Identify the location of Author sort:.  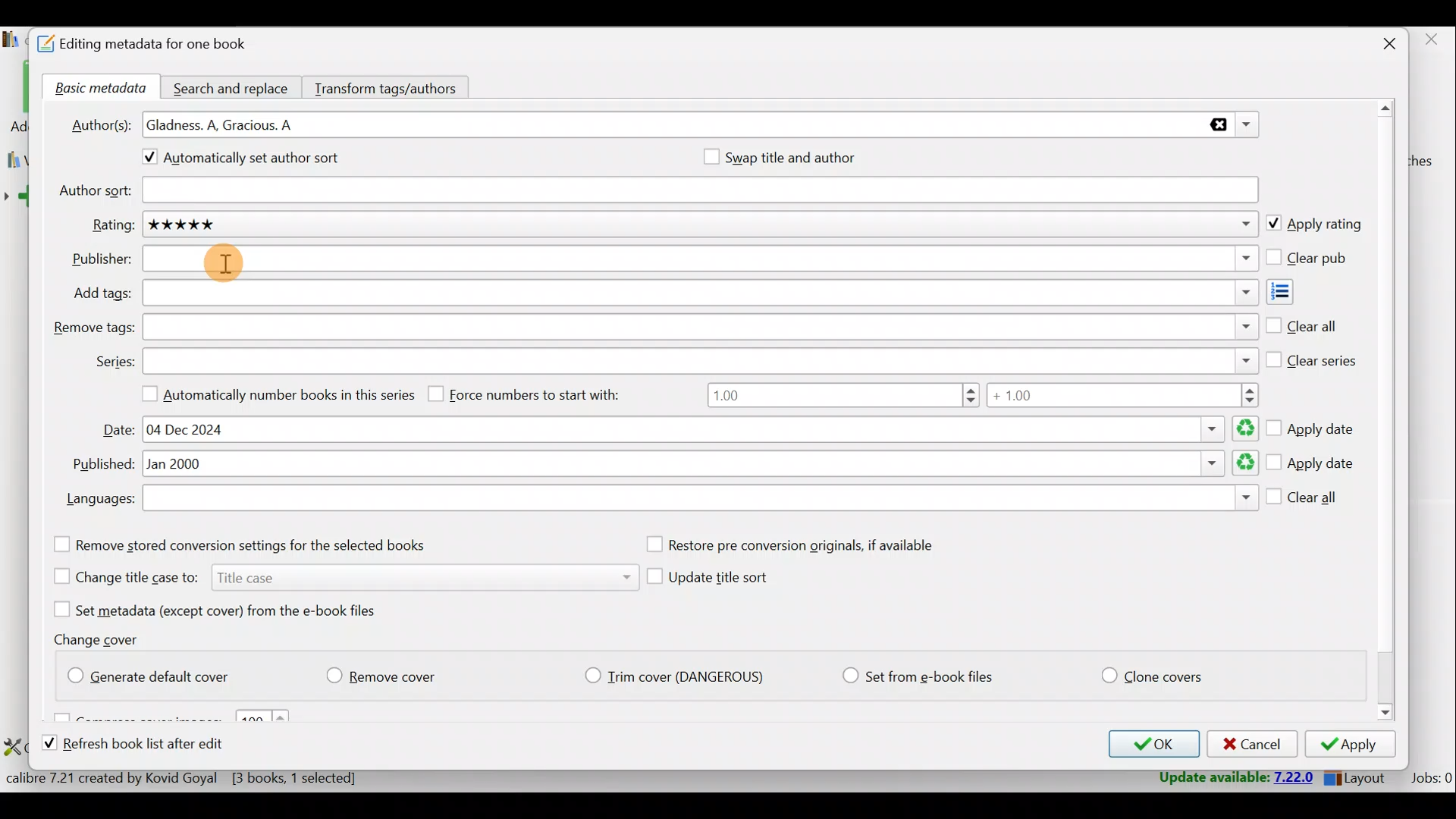
(93, 191).